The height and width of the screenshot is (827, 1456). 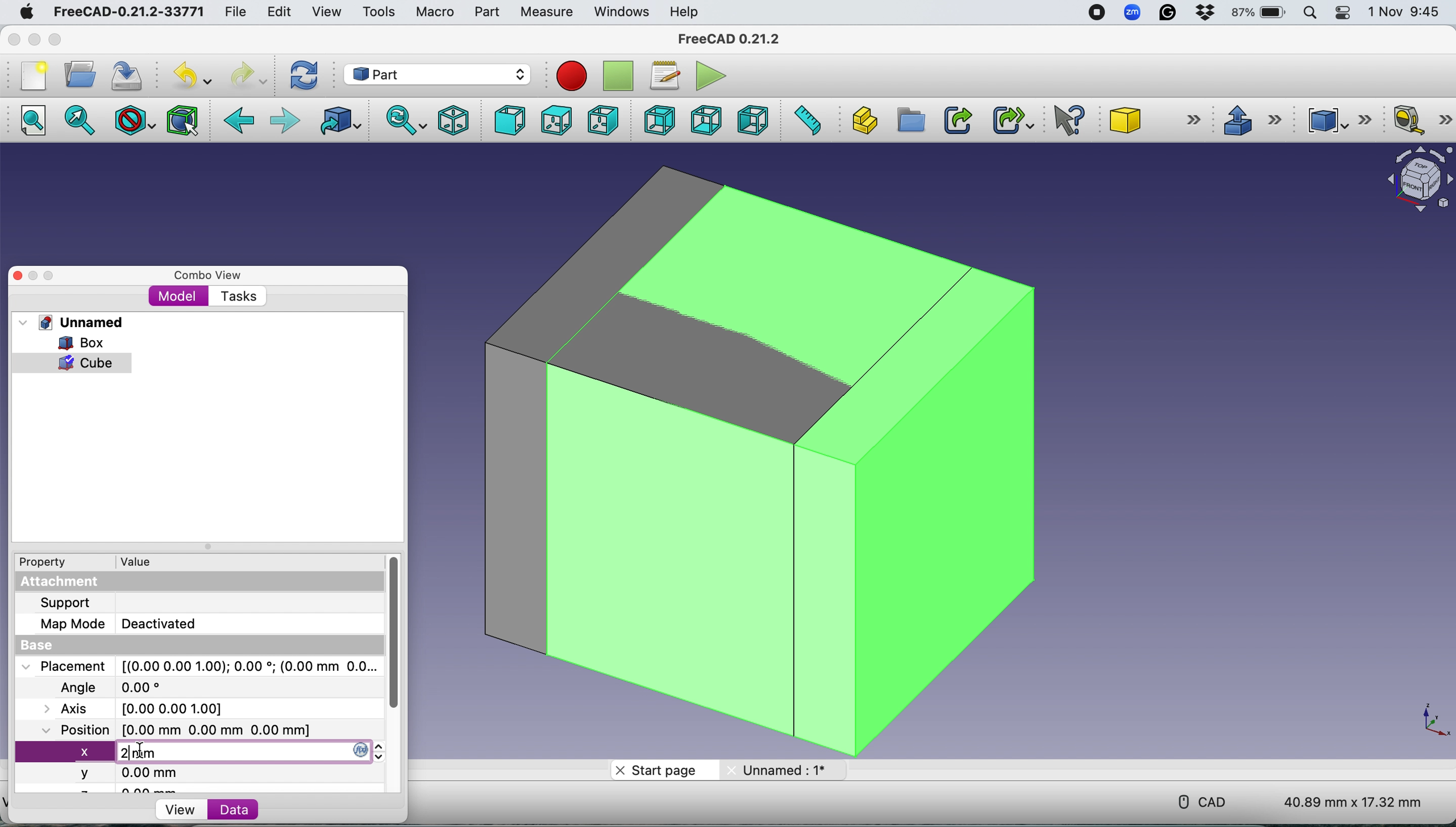 I want to click on Undo, so click(x=195, y=76).